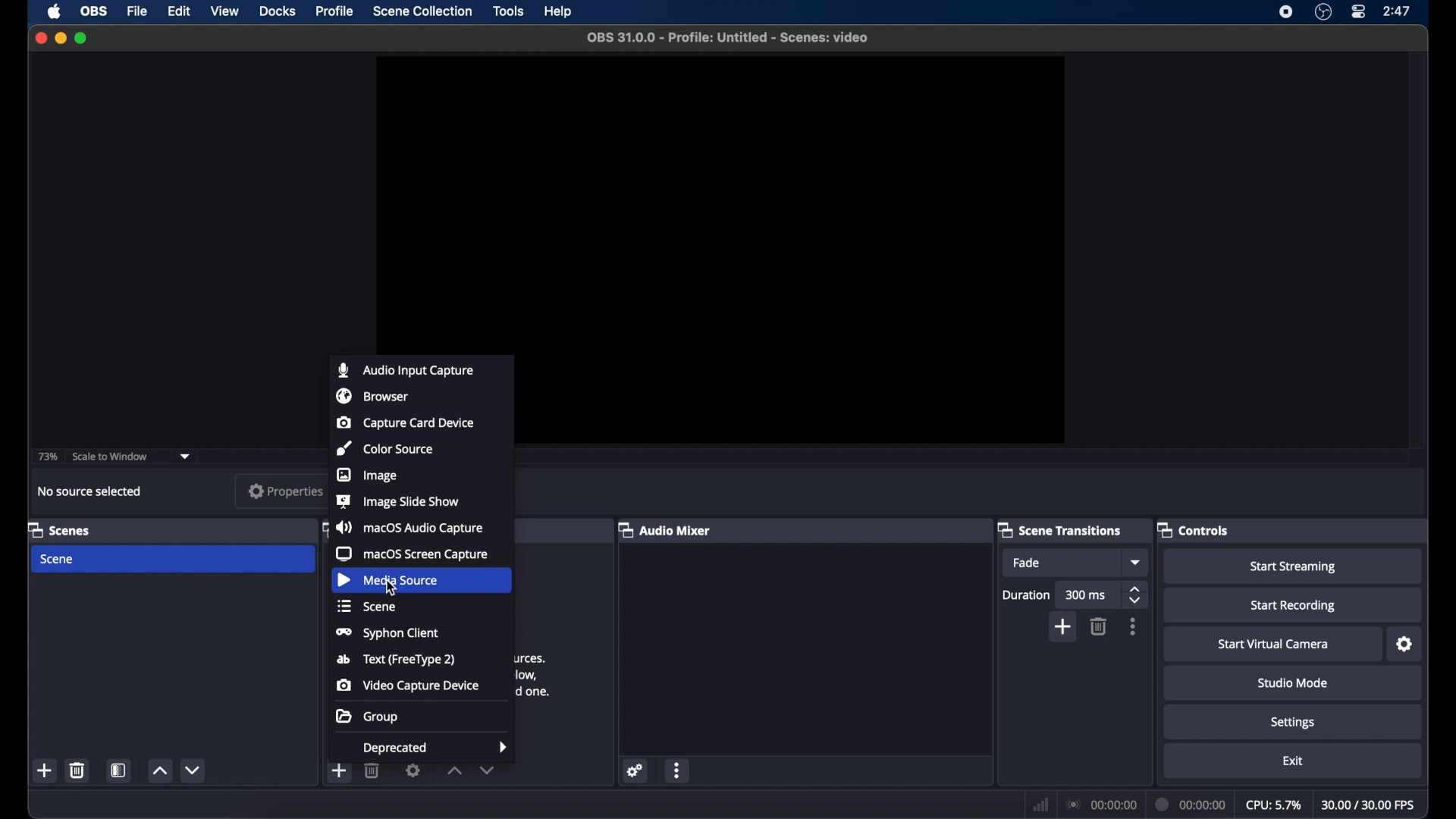  I want to click on exit , so click(1293, 761).